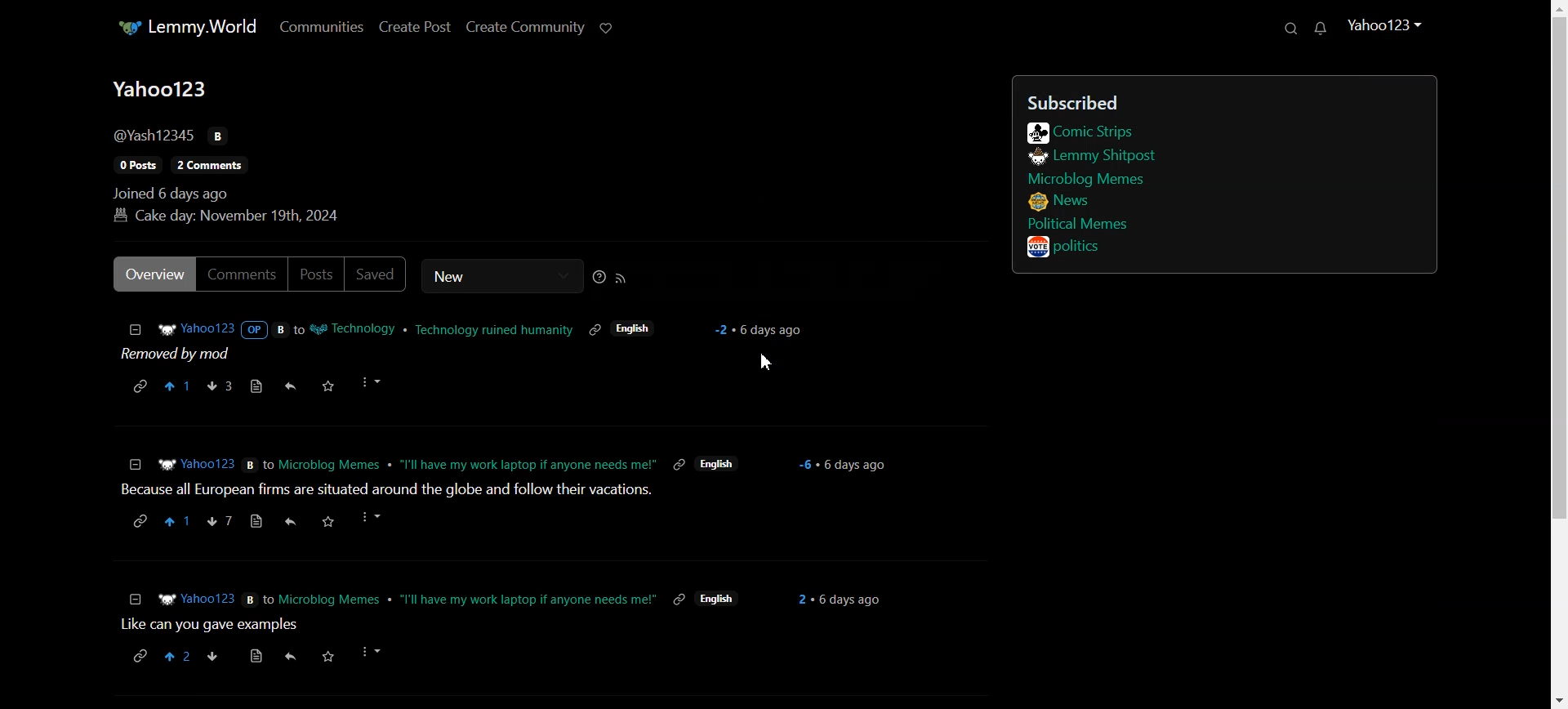  I want to click on downvote, so click(212, 655).